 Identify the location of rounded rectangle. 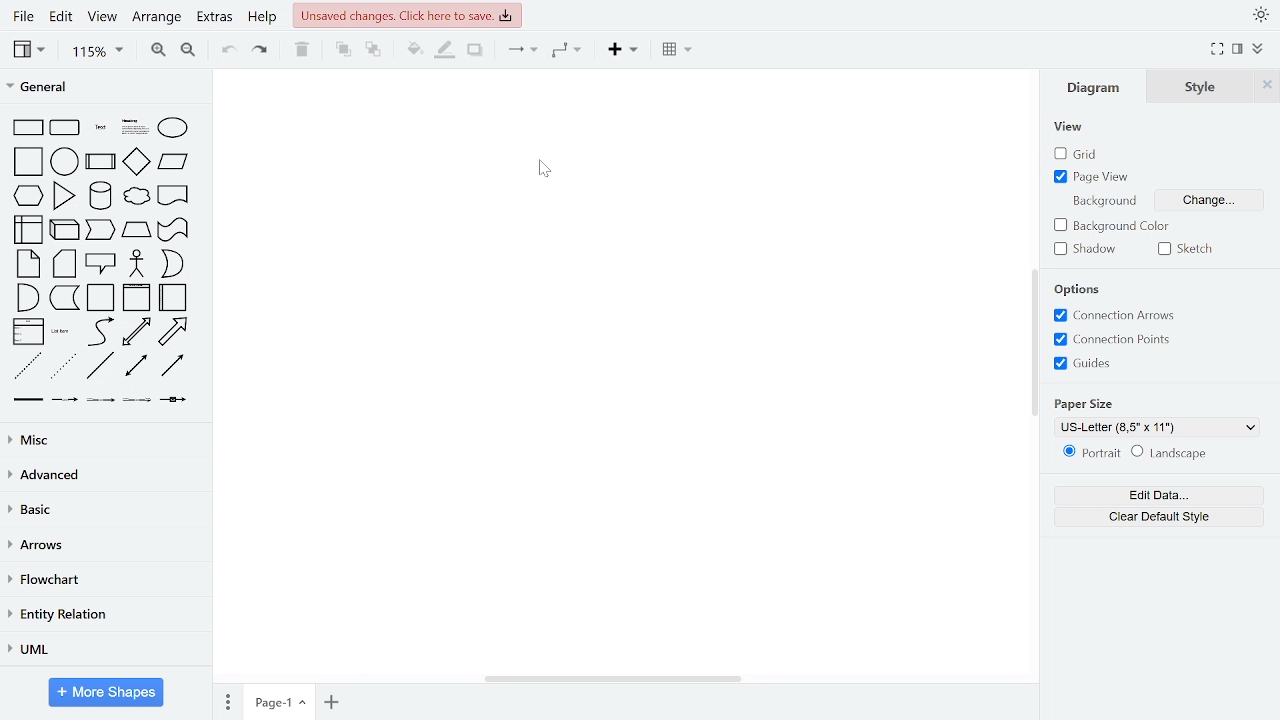
(65, 128).